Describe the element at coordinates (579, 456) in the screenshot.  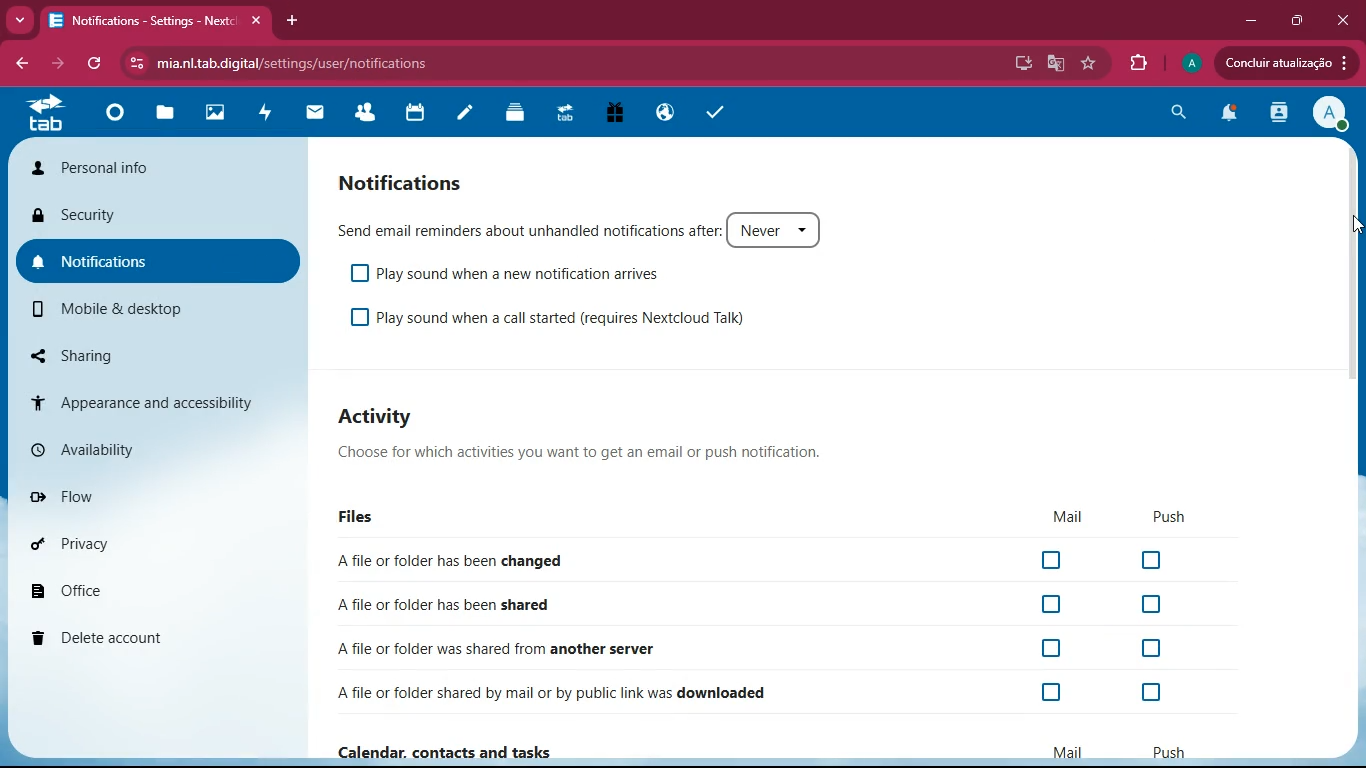
I see `Choose for which activities you want to get an email or push notification.` at that location.